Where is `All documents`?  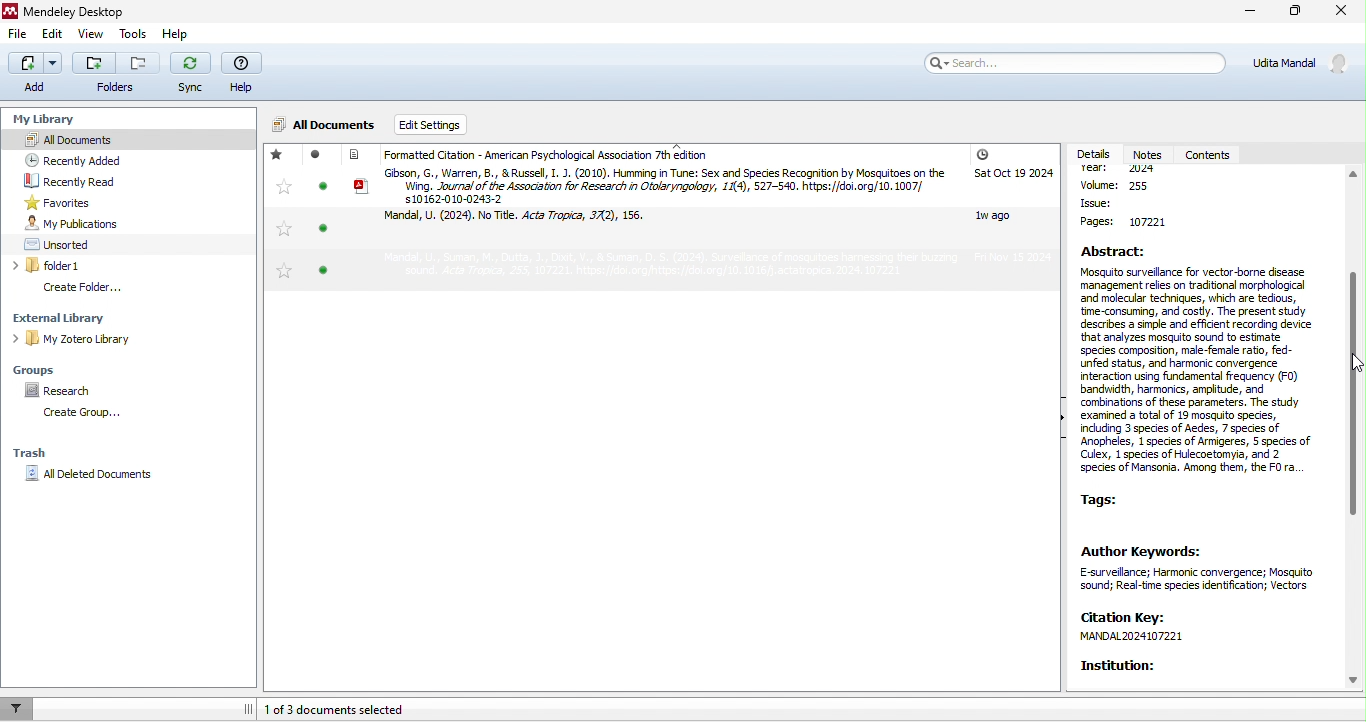
All documents is located at coordinates (325, 126).